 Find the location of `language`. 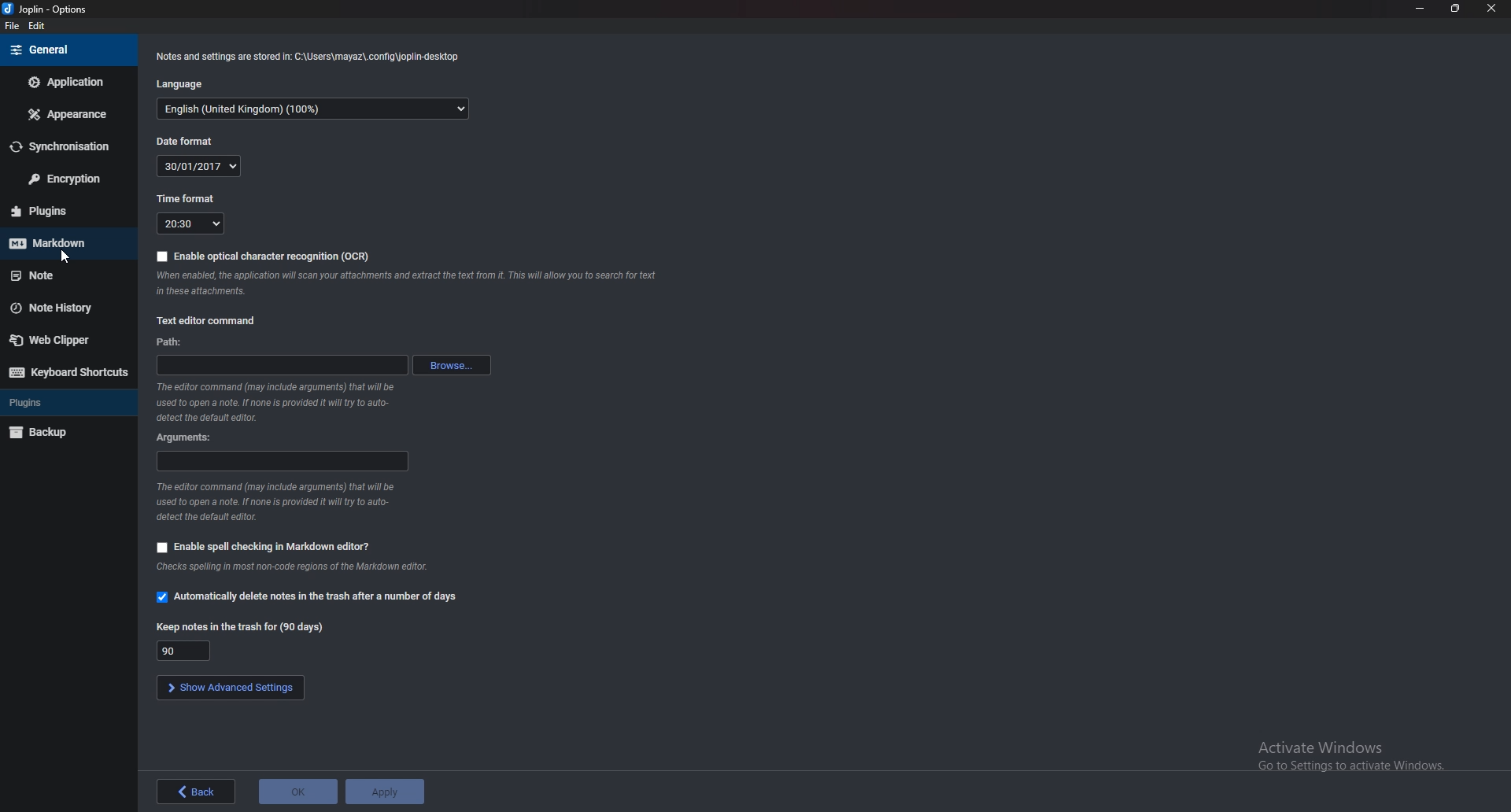

language is located at coordinates (313, 108).